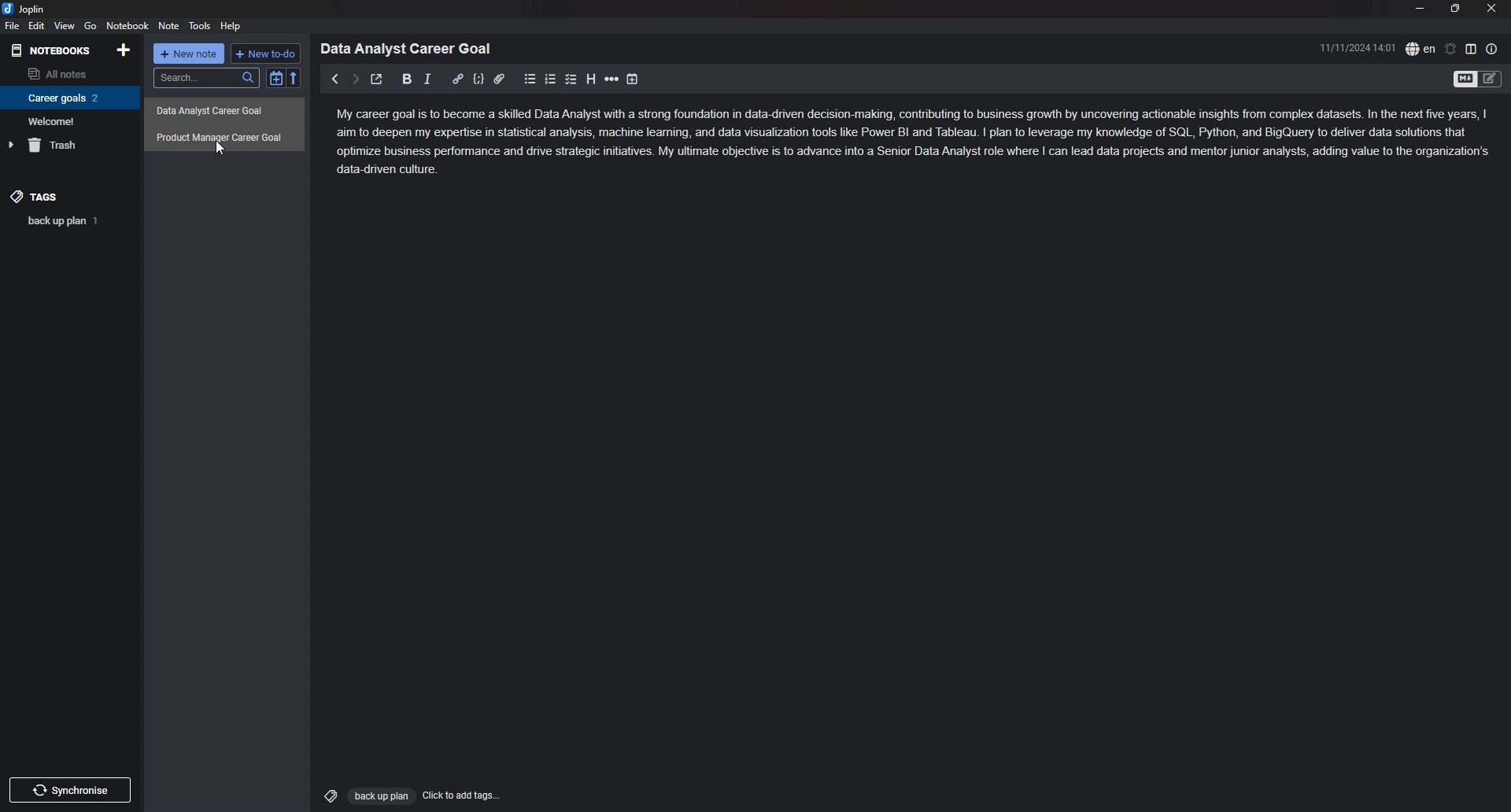  Describe the element at coordinates (1419, 8) in the screenshot. I see `minimize` at that location.